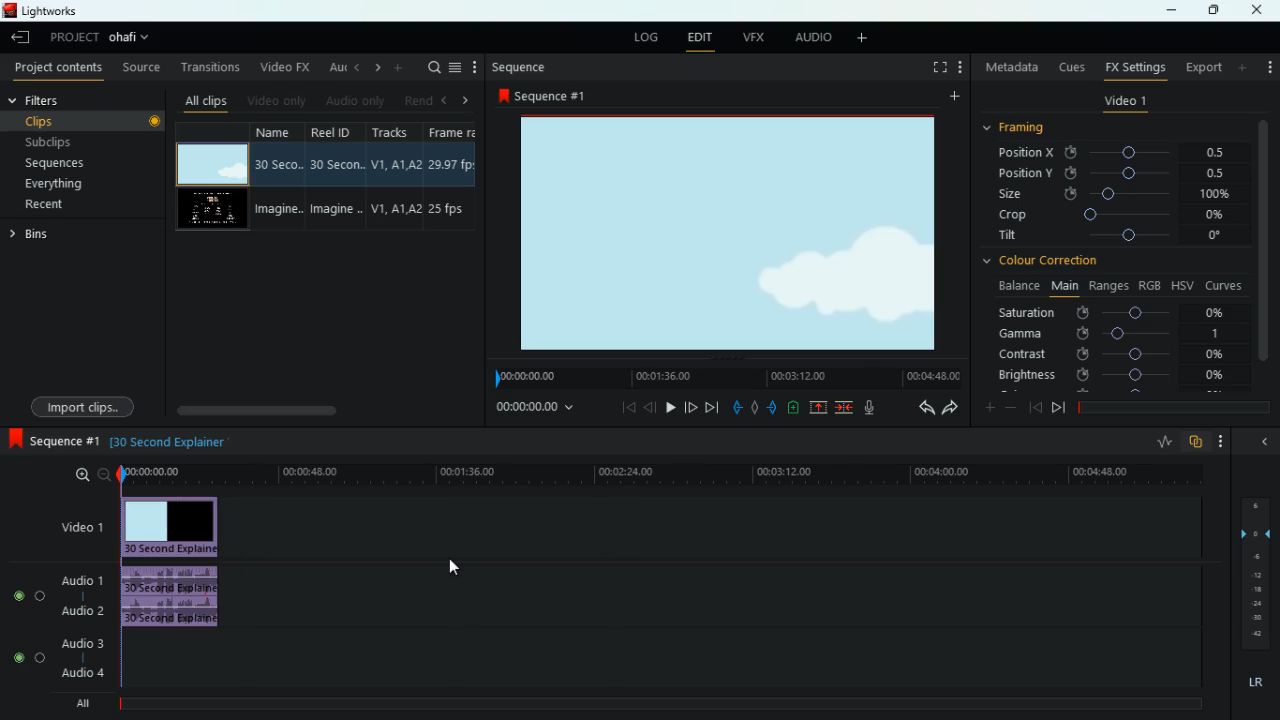 The image size is (1280, 720). What do you see at coordinates (392, 131) in the screenshot?
I see `tracks` at bounding box center [392, 131].